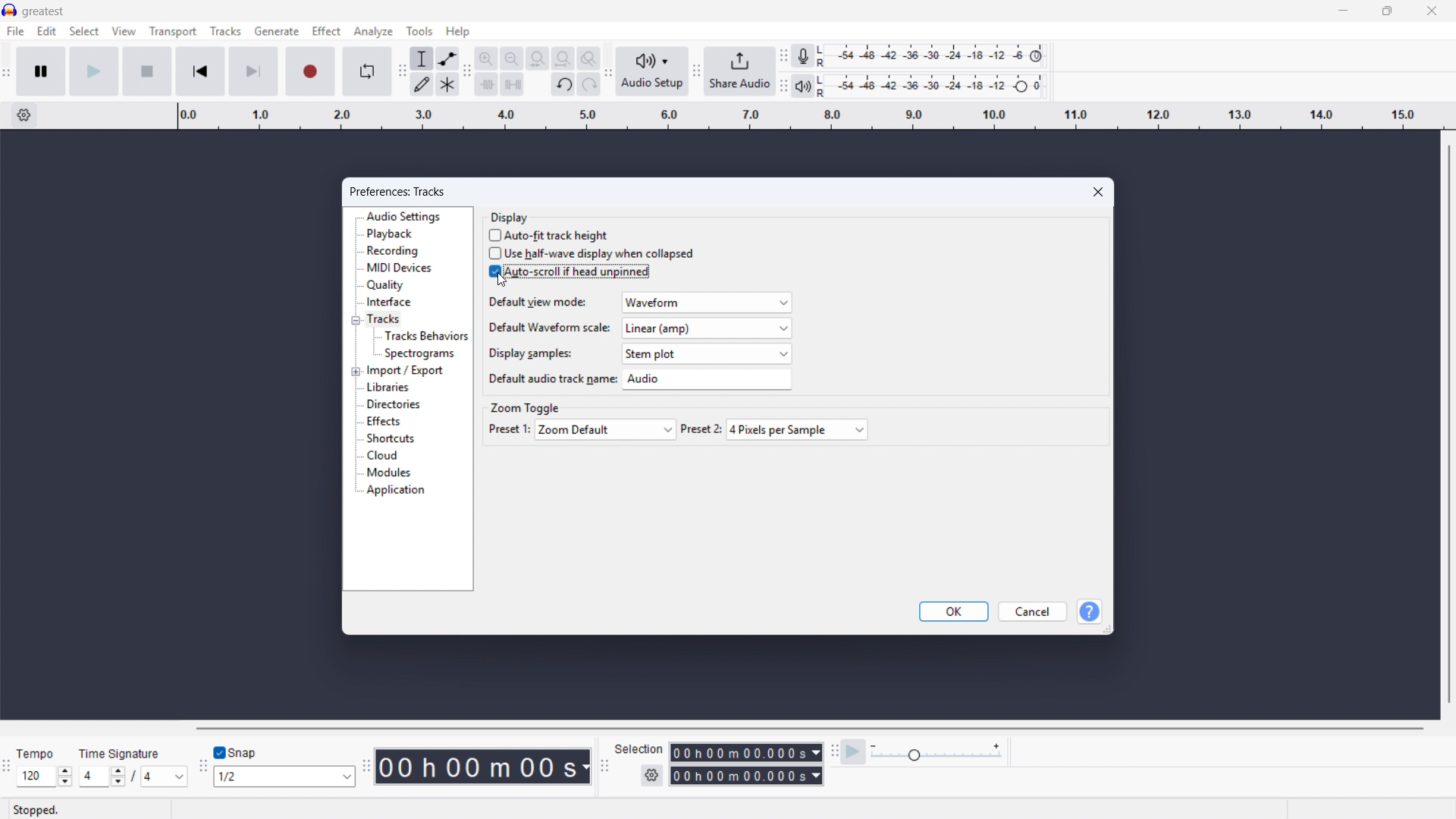  Describe the element at coordinates (356, 372) in the screenshot. I see `Expand ` at that location.